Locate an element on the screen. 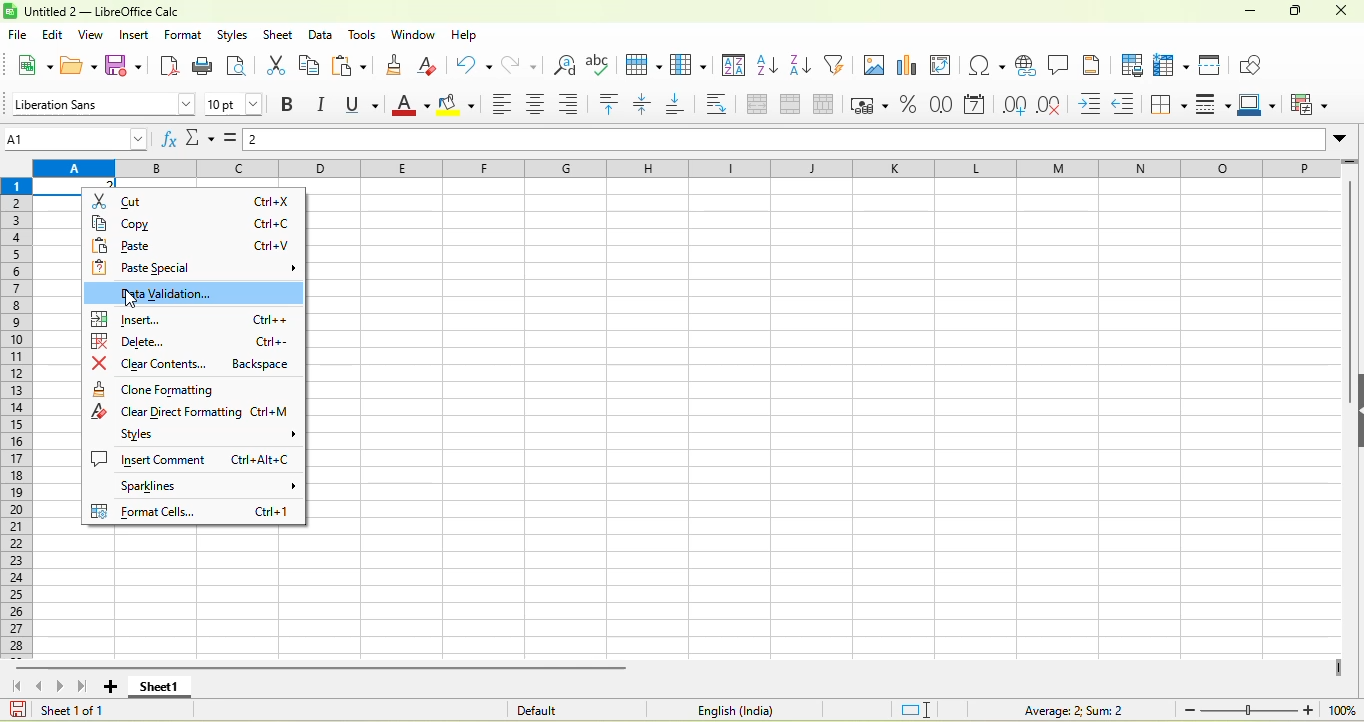 The height and width of the screenshot is (722, 1364). print is located at coordinates (207, 65).